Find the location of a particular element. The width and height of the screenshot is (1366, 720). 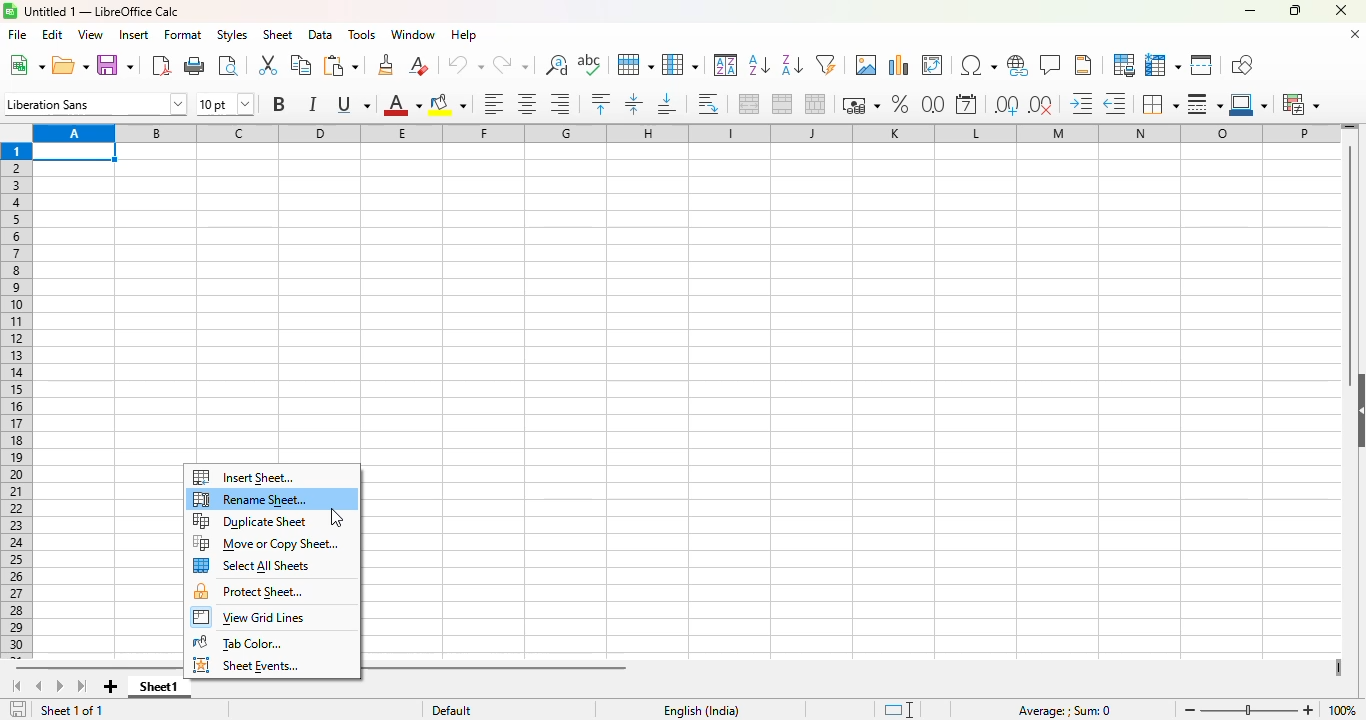

background color is located at coordinates (448, 104).